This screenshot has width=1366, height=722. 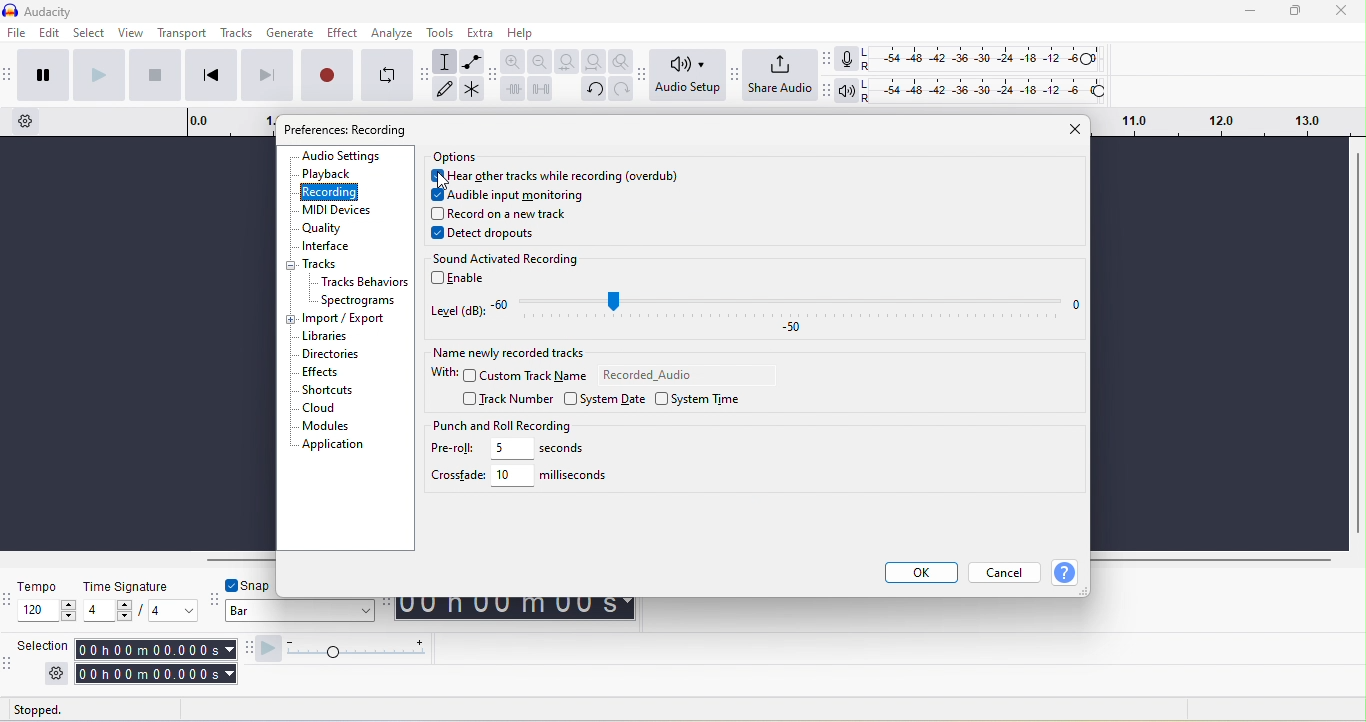 What do you see at coordinates (343, 34) in the screenshot?
I see `effect` at bounding box center [343, 34].